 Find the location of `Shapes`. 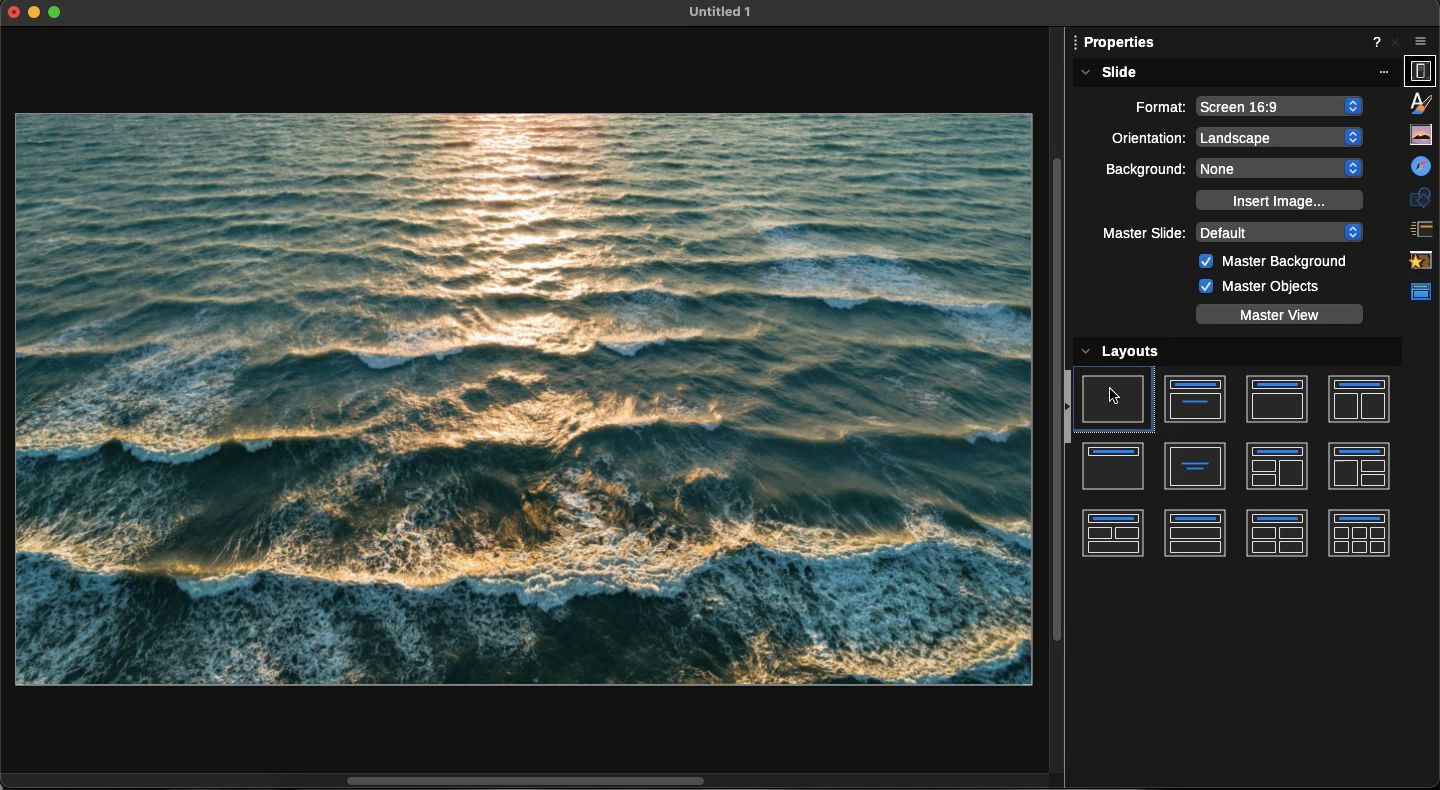

Shapes is located at coordinates (1421, 198).